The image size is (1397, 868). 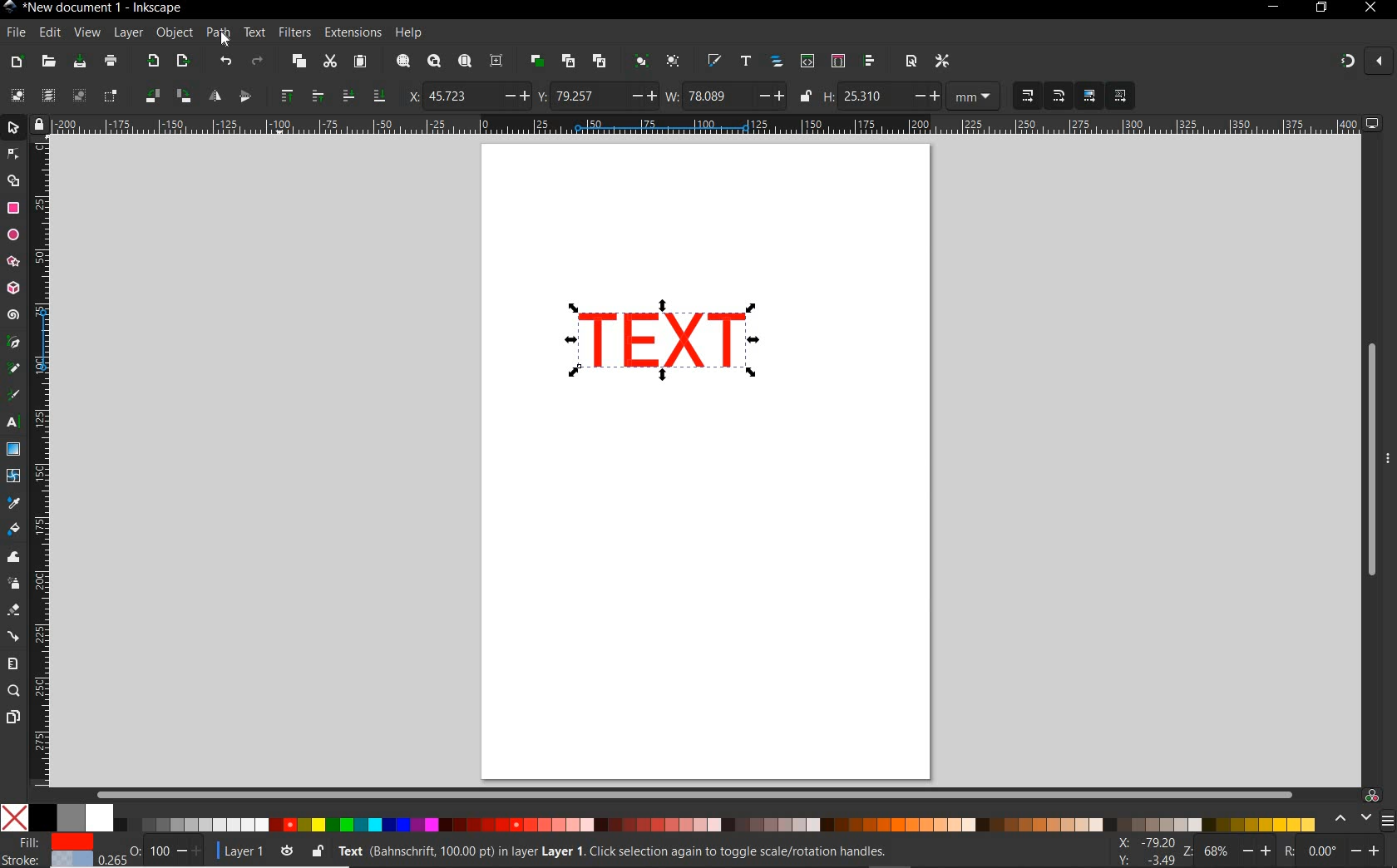 I want to click on PAINT, so click(x=111, y=63).